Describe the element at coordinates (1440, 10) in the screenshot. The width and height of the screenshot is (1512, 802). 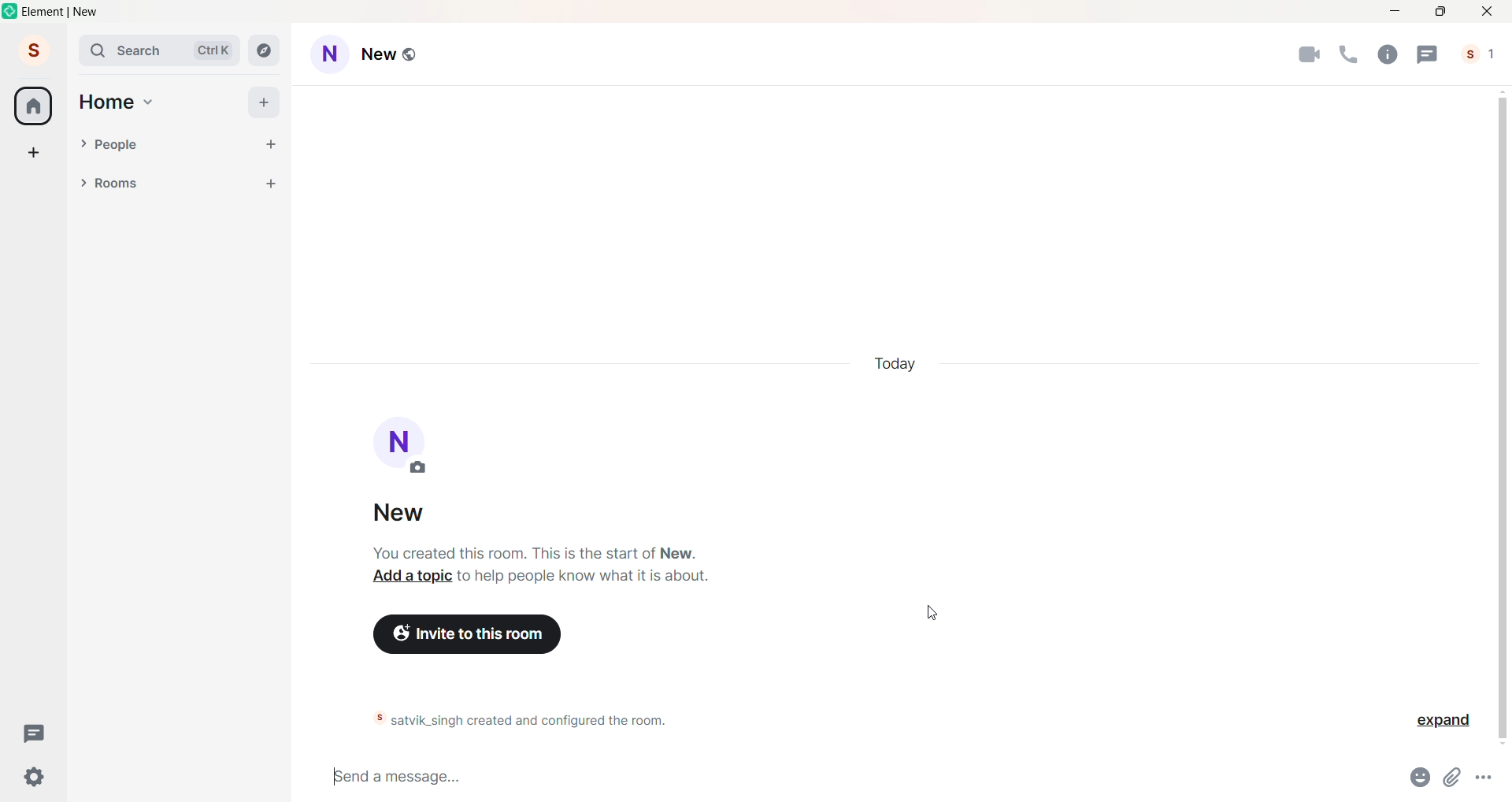
I see `Maximize` at that location.